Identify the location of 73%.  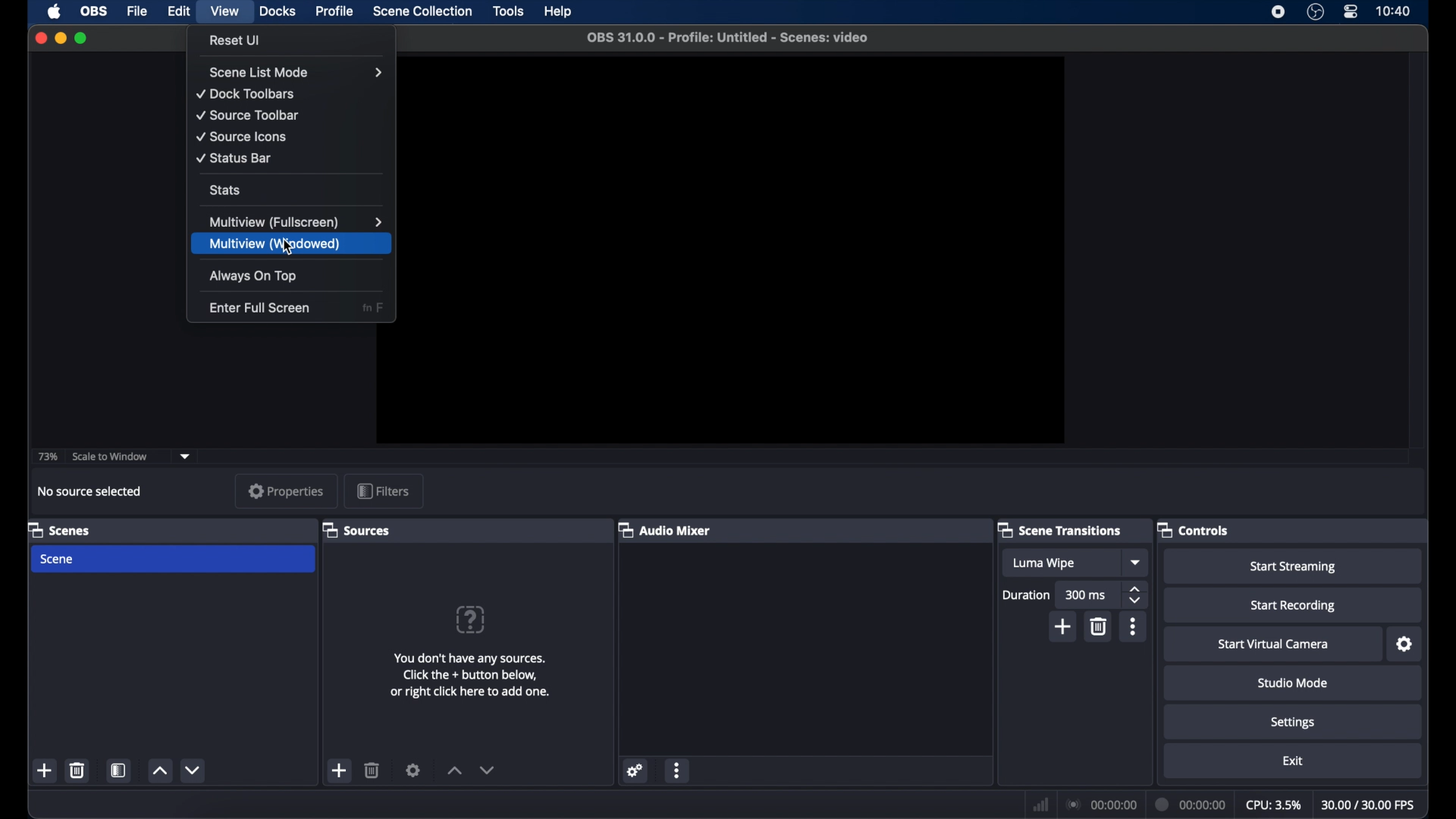
(47, 457).